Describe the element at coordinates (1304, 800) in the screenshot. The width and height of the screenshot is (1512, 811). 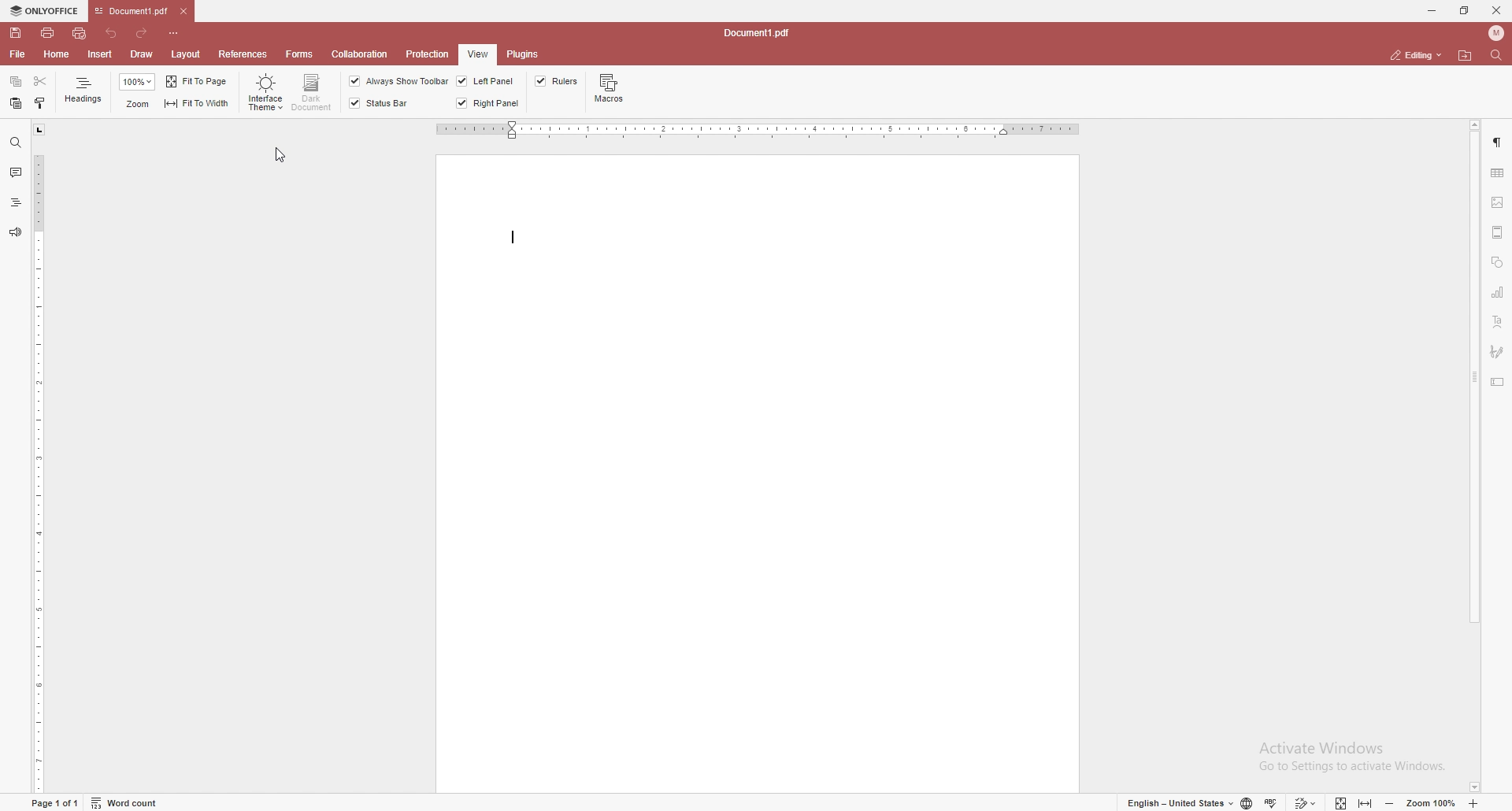
I see `track changes` at that location.